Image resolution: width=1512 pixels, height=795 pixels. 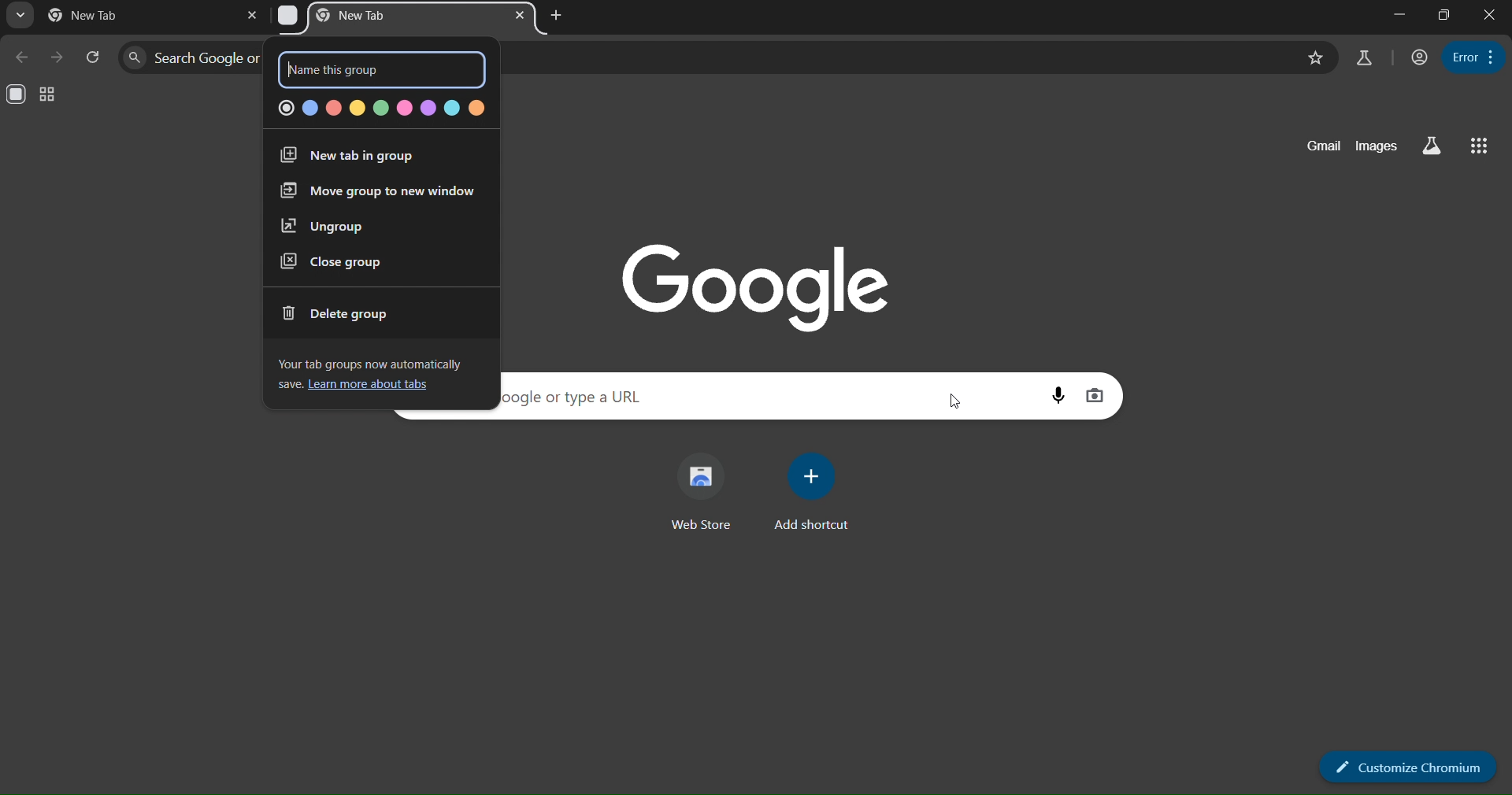 I want to click on web store, so click(x=703, y=494).